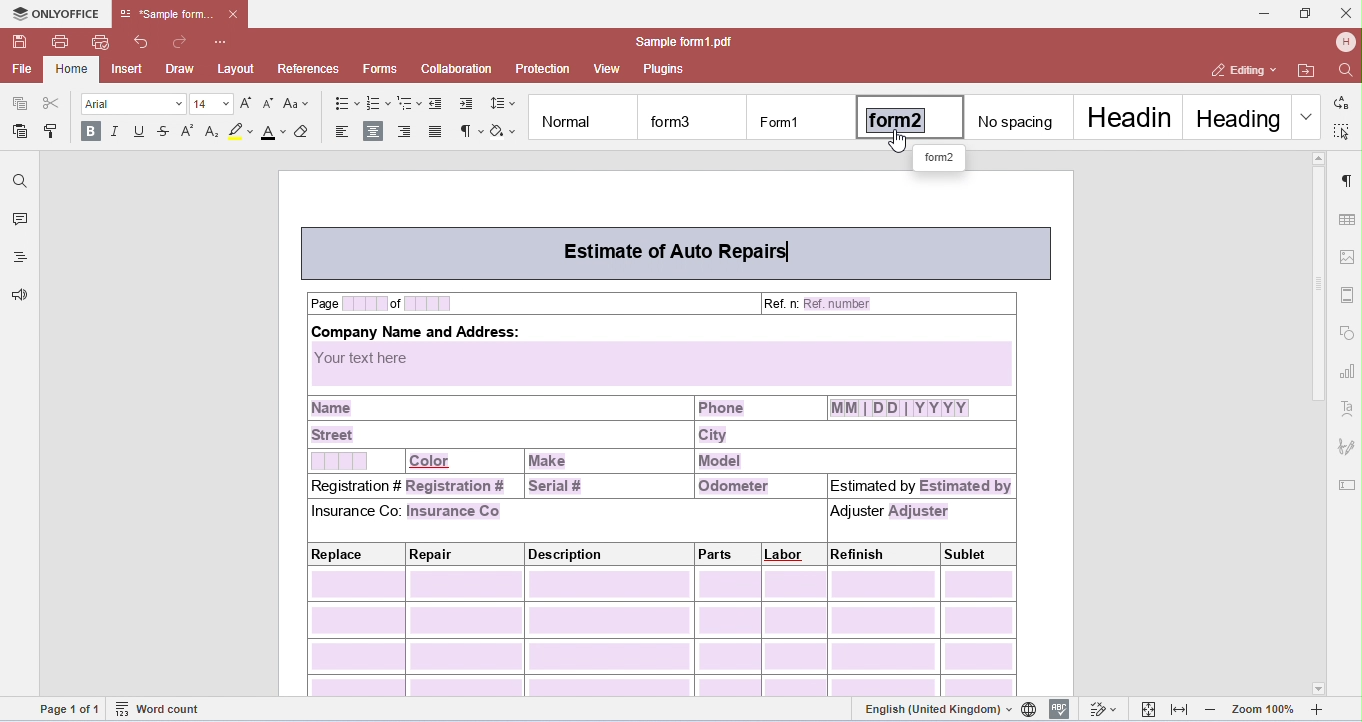 This screenshot has width=1362, height=722. What do you see at coordinates (504, 132) in the screenshot?
I see `shading` at bounding box center [504, 132].